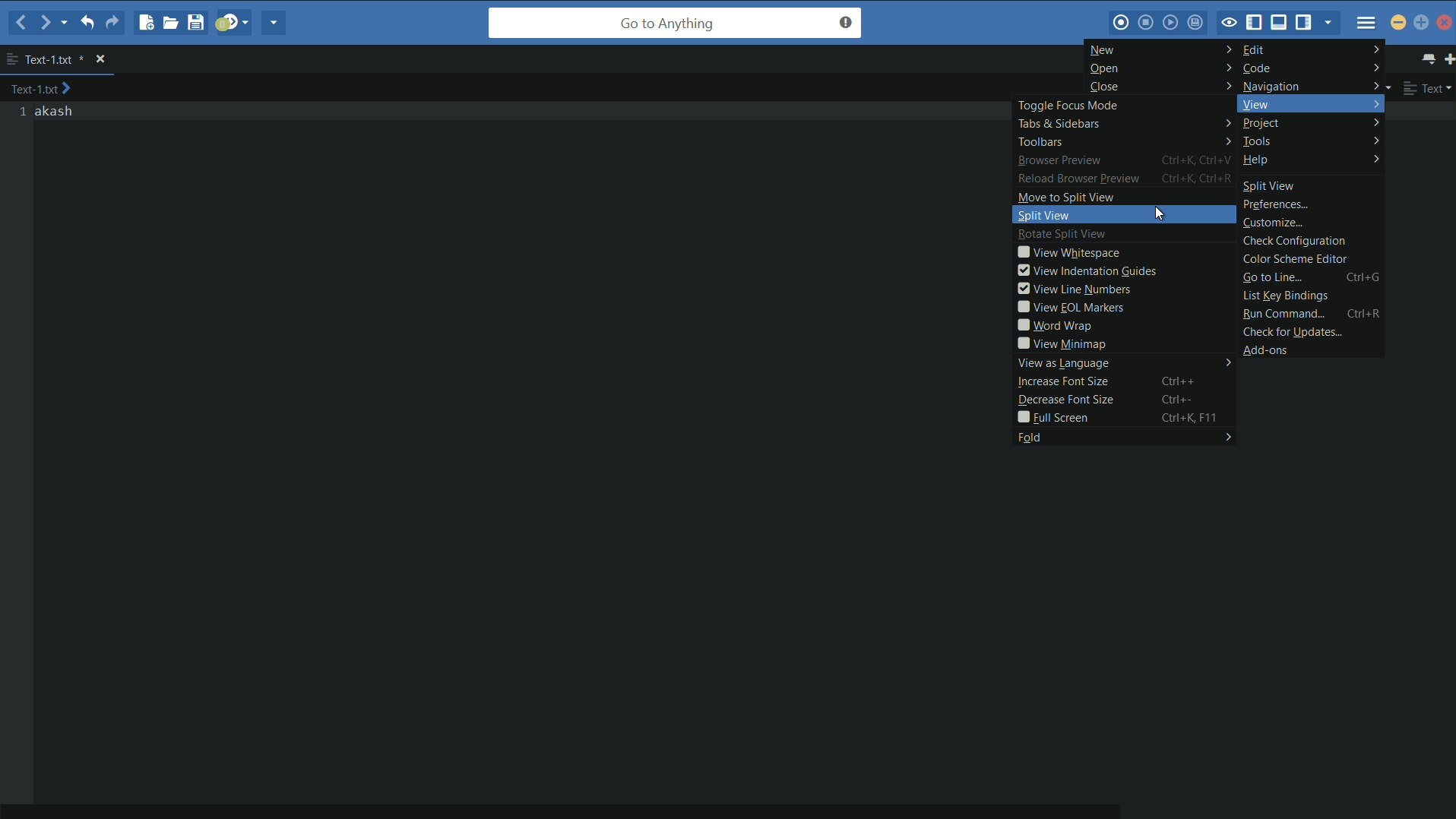  Describe the element at coordinates (1445, 22) in the screenshot. I see `Close` at that location.